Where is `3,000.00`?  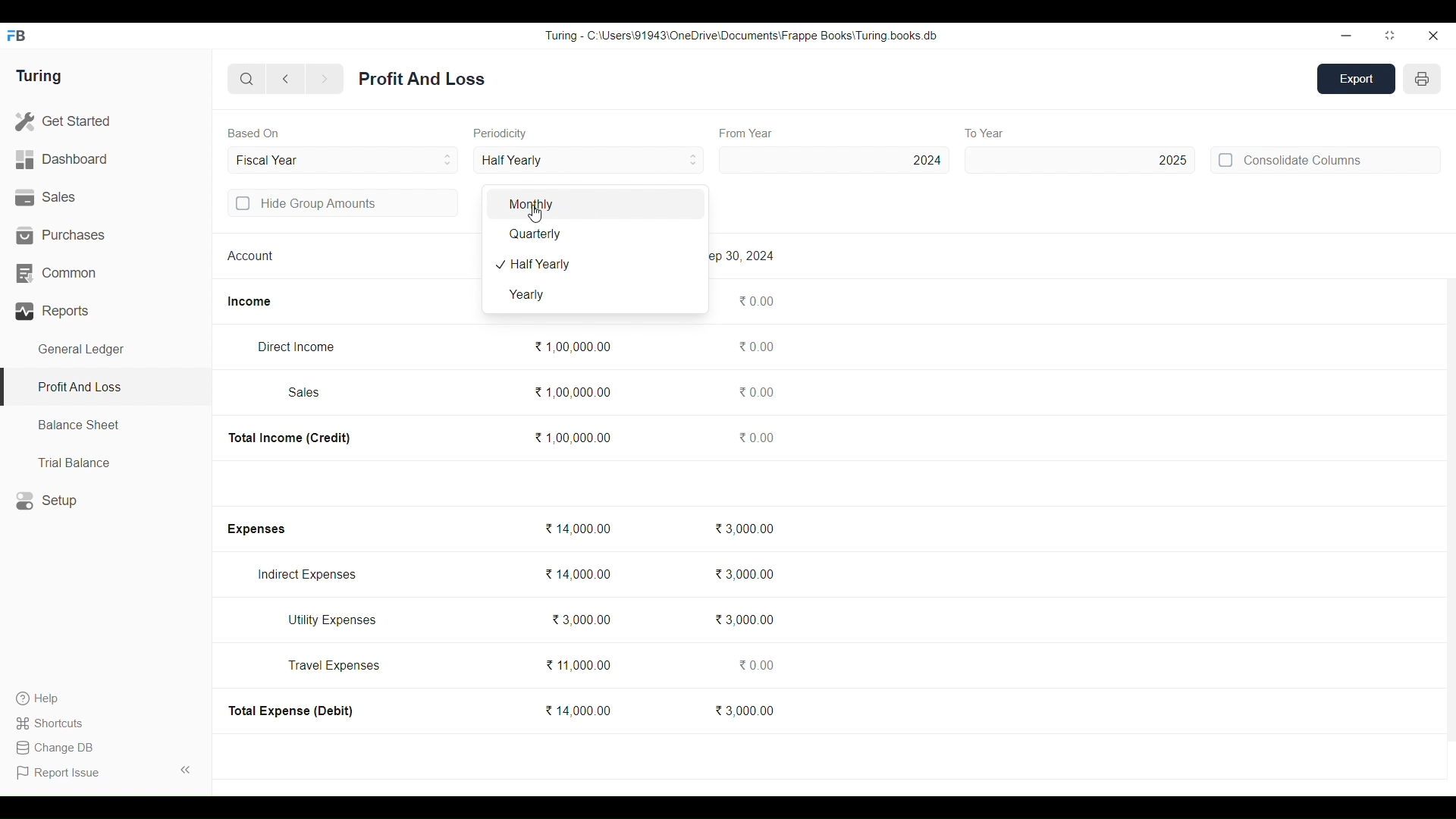 3,000.00 is located at coordinates (744, 529).